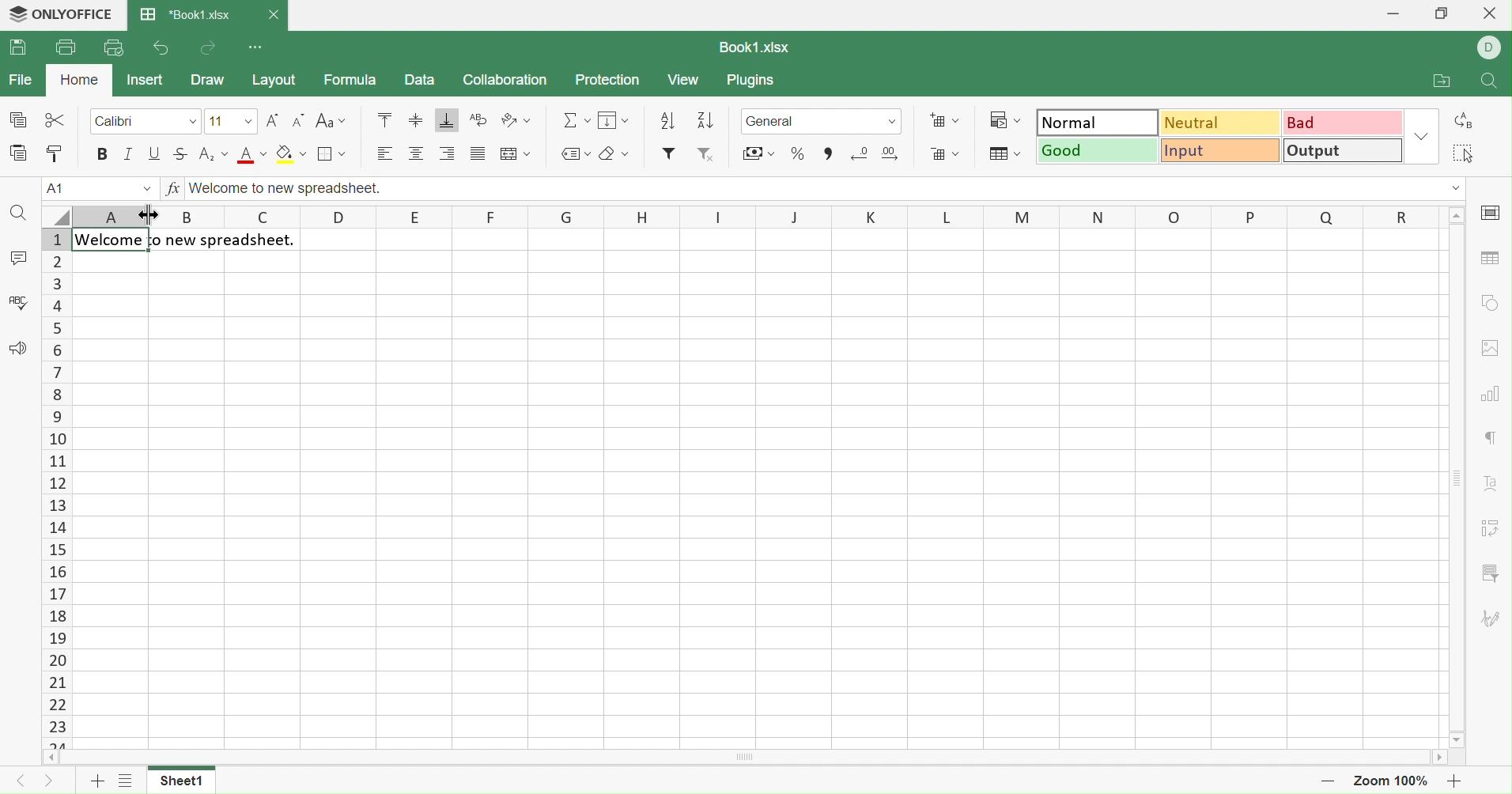 This screenshot has width=1512, height=794. Describe the element at coordinates (291, 153) in the screenshot. I see `Fill color` at that location.